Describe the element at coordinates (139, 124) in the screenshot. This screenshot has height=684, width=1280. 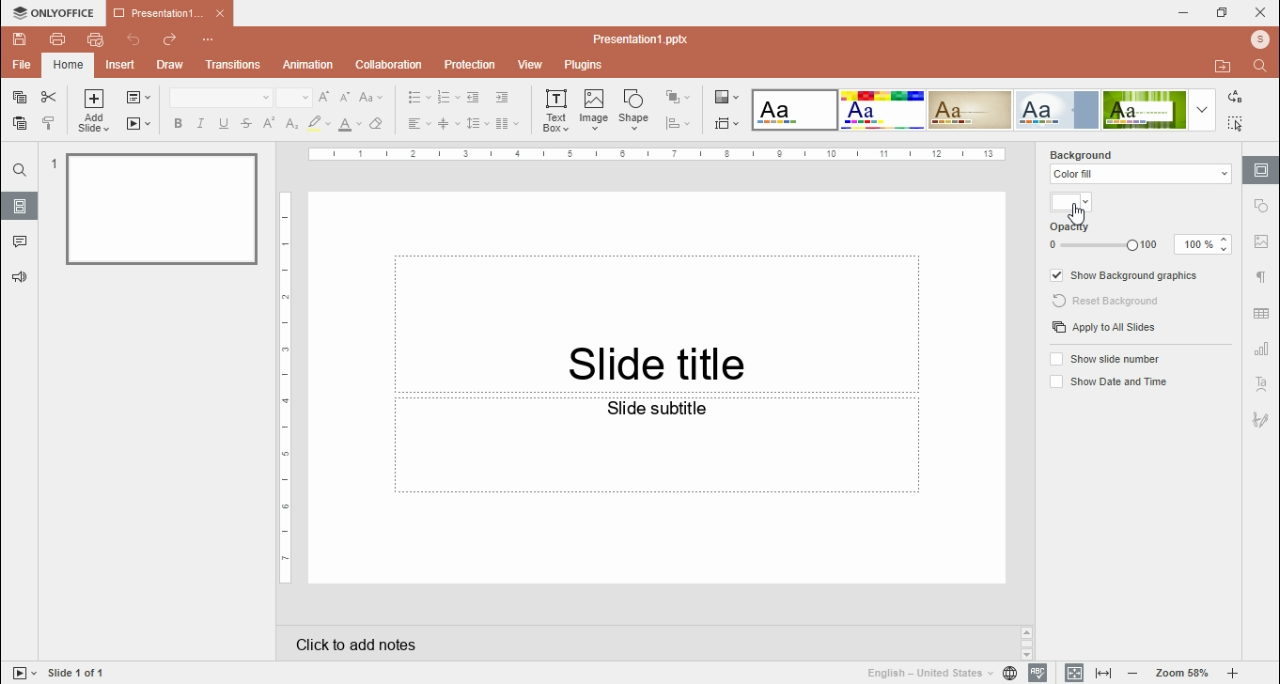
I see `star slideshow` at that location.